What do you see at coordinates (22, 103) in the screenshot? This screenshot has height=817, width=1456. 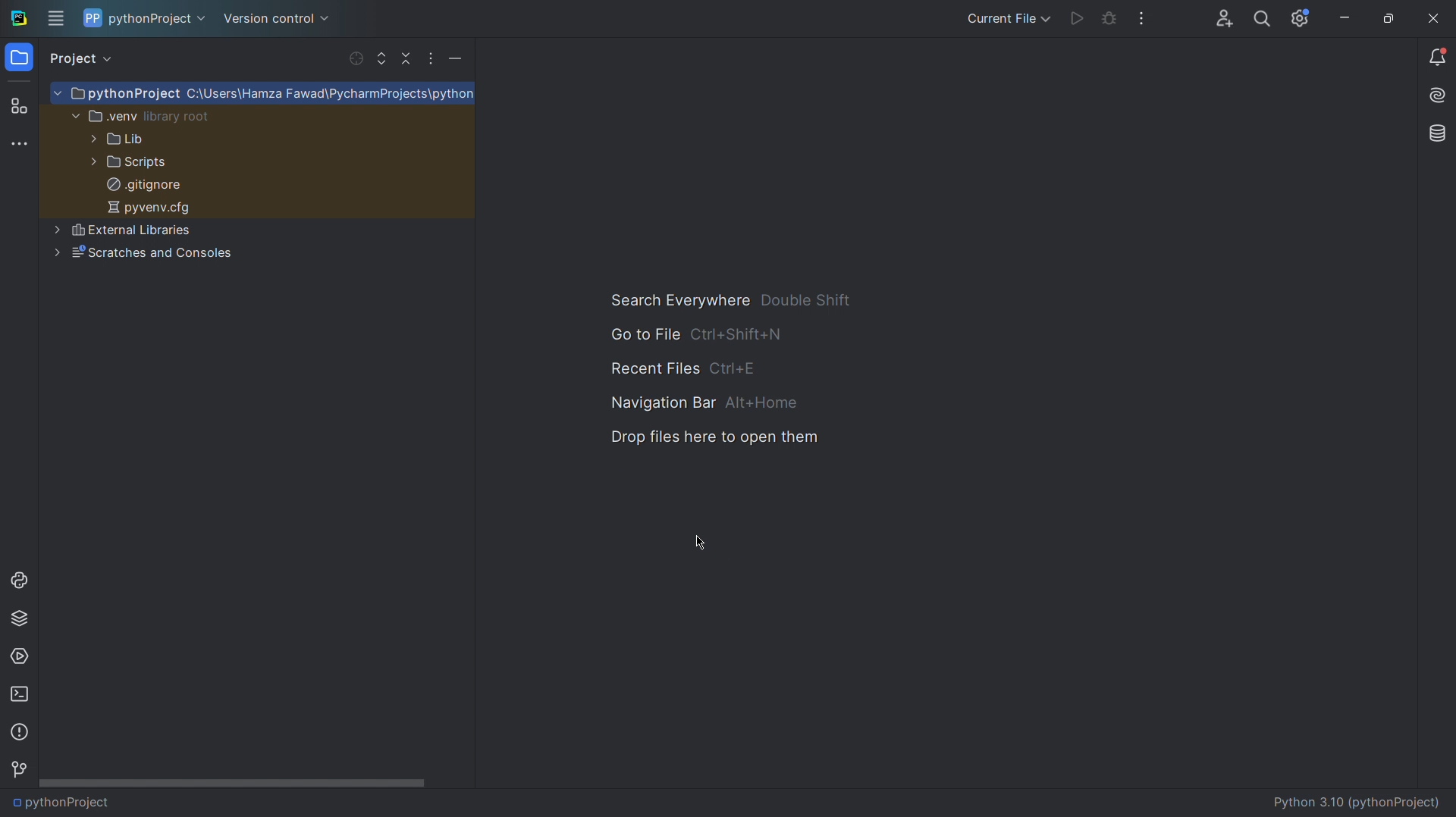 I see `Pluggins` at bounding box center [22, 103].